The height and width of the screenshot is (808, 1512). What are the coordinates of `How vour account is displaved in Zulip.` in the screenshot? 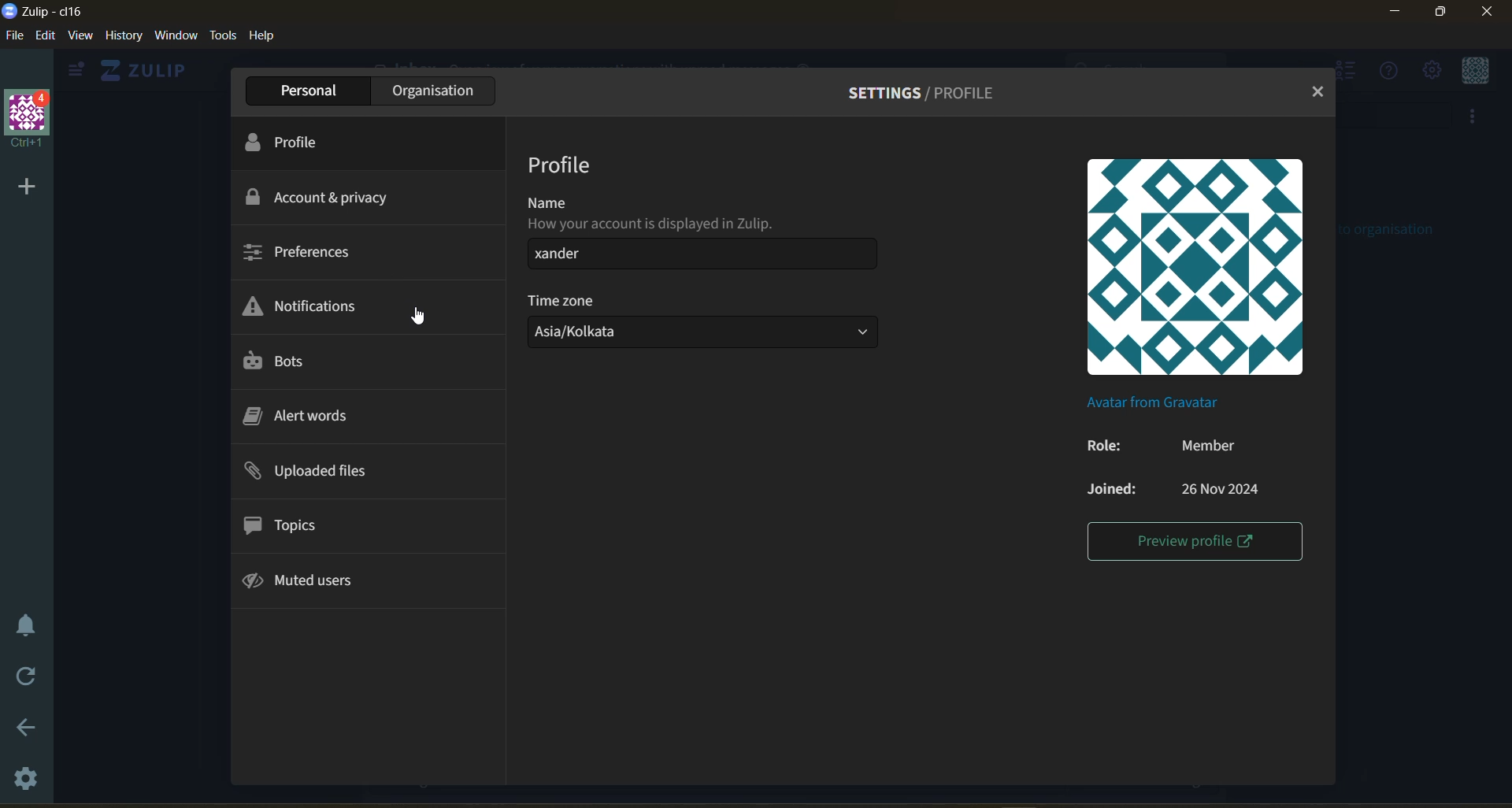 It's located at (650, 224).